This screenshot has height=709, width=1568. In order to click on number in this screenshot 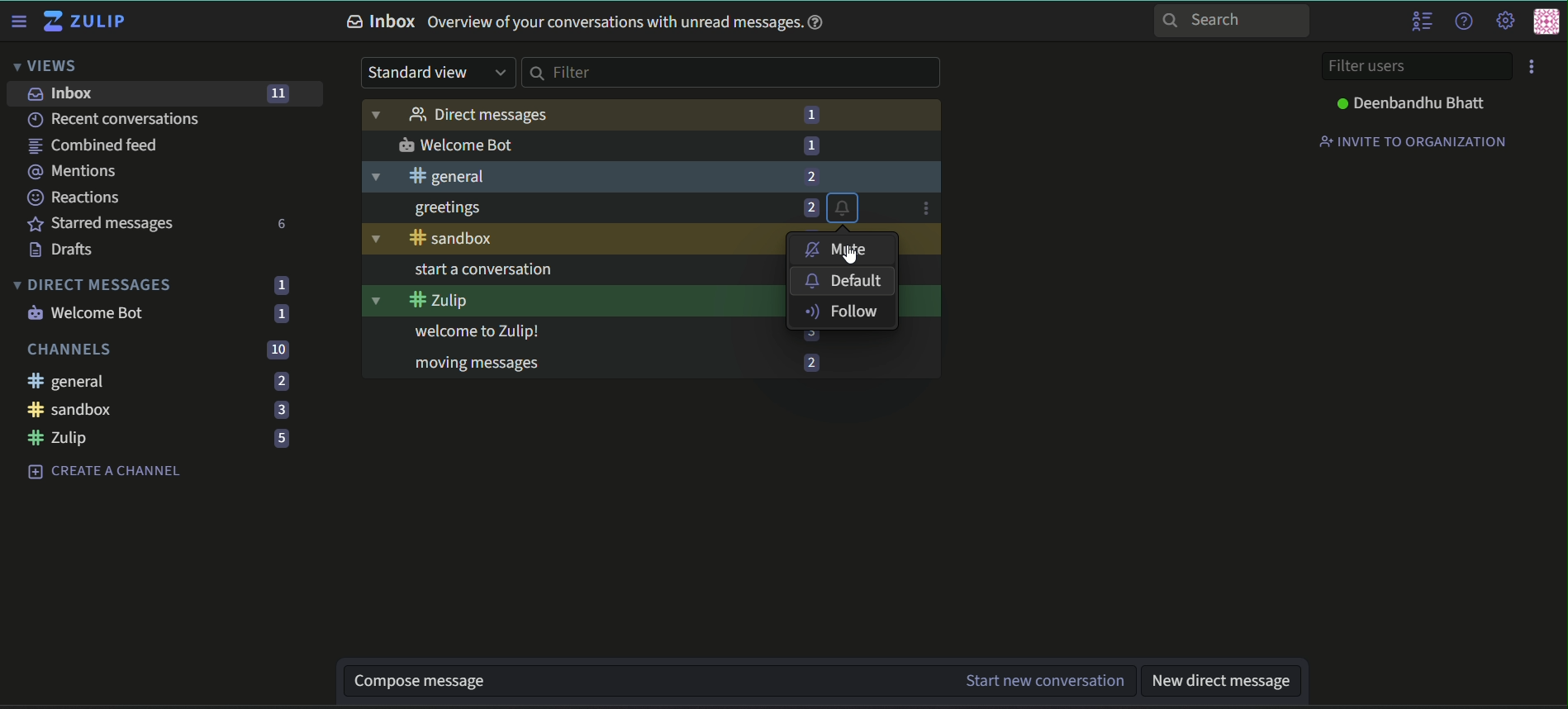, I will do `click(814, 362)`.